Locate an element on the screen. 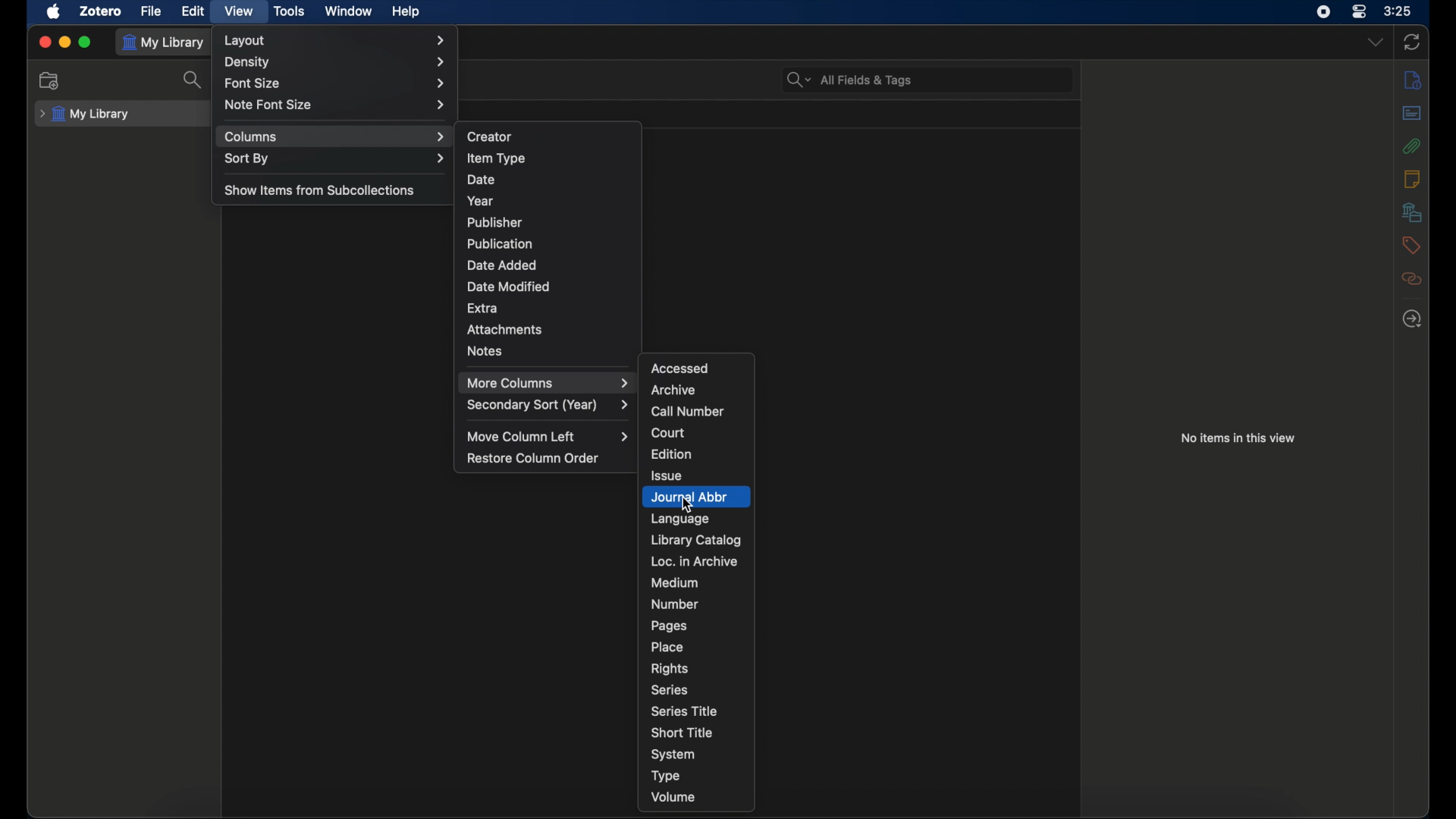 The width and height of the screenshot is (1456, 819). attachments is located at coordinates (1411, 146).